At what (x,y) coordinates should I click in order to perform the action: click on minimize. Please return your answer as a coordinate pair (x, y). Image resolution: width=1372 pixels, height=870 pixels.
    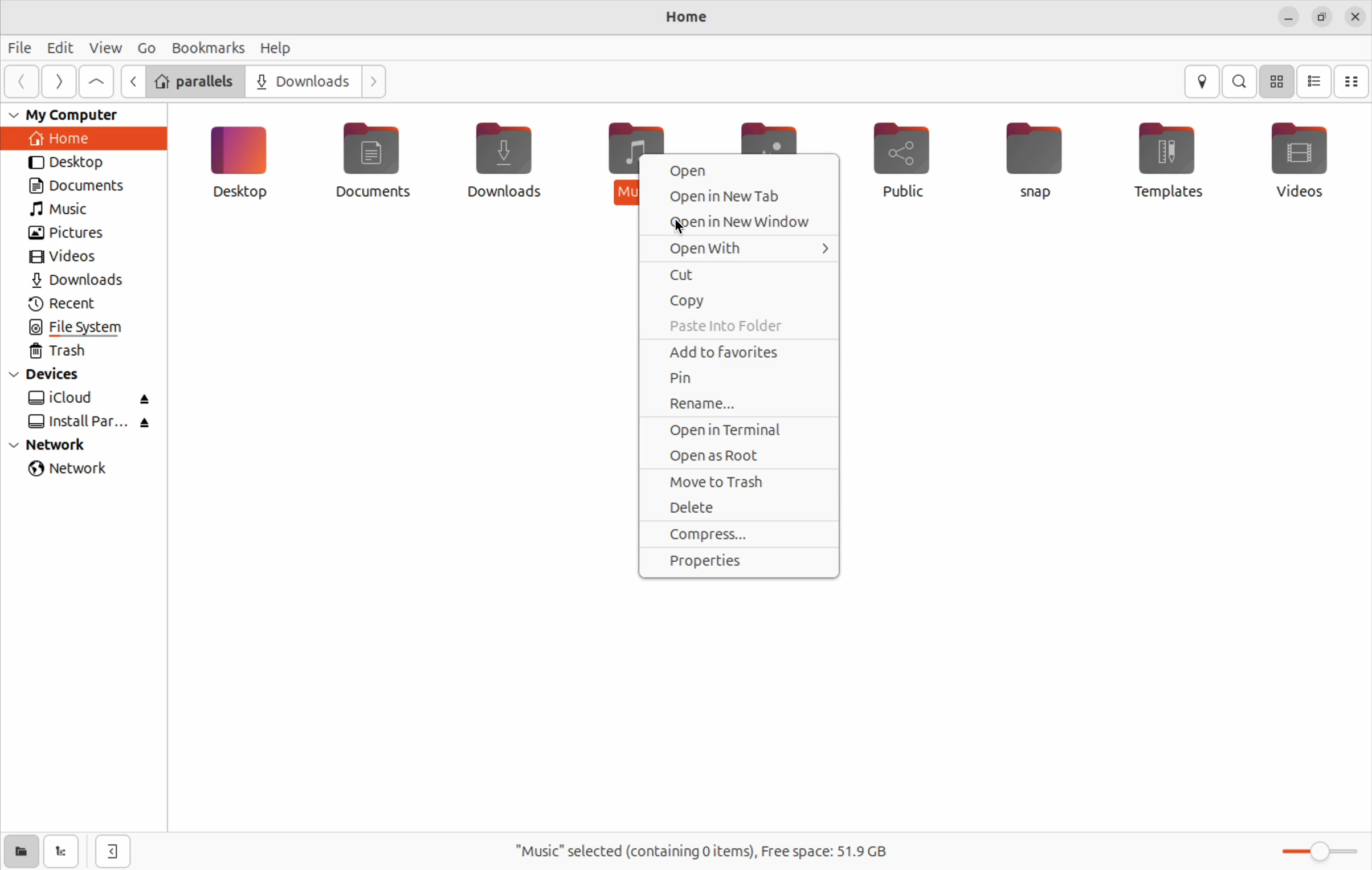
    Looking at the image, I should click on (1288, 18).